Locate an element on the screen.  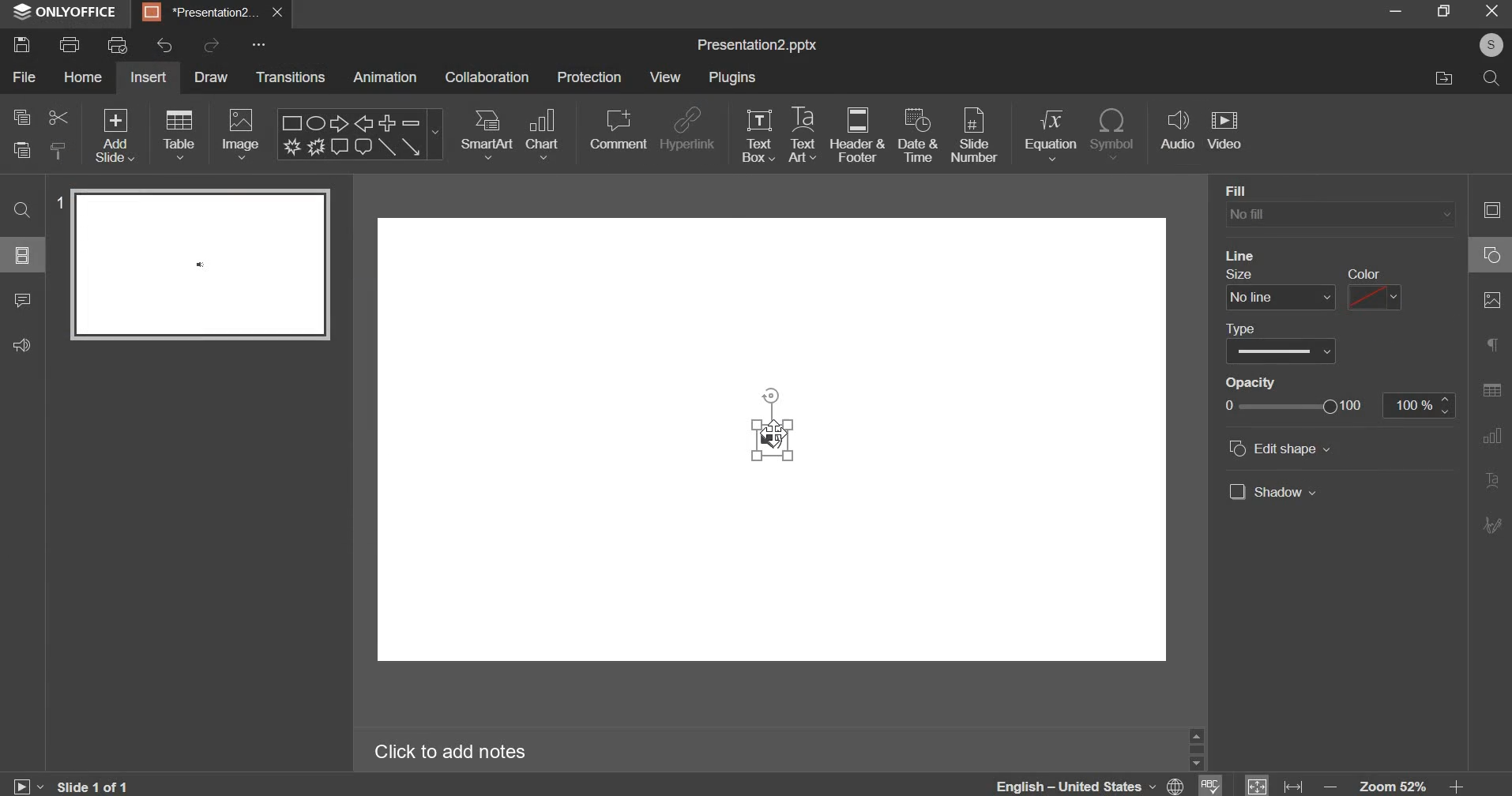
undo is located at coordinates (160, 46).